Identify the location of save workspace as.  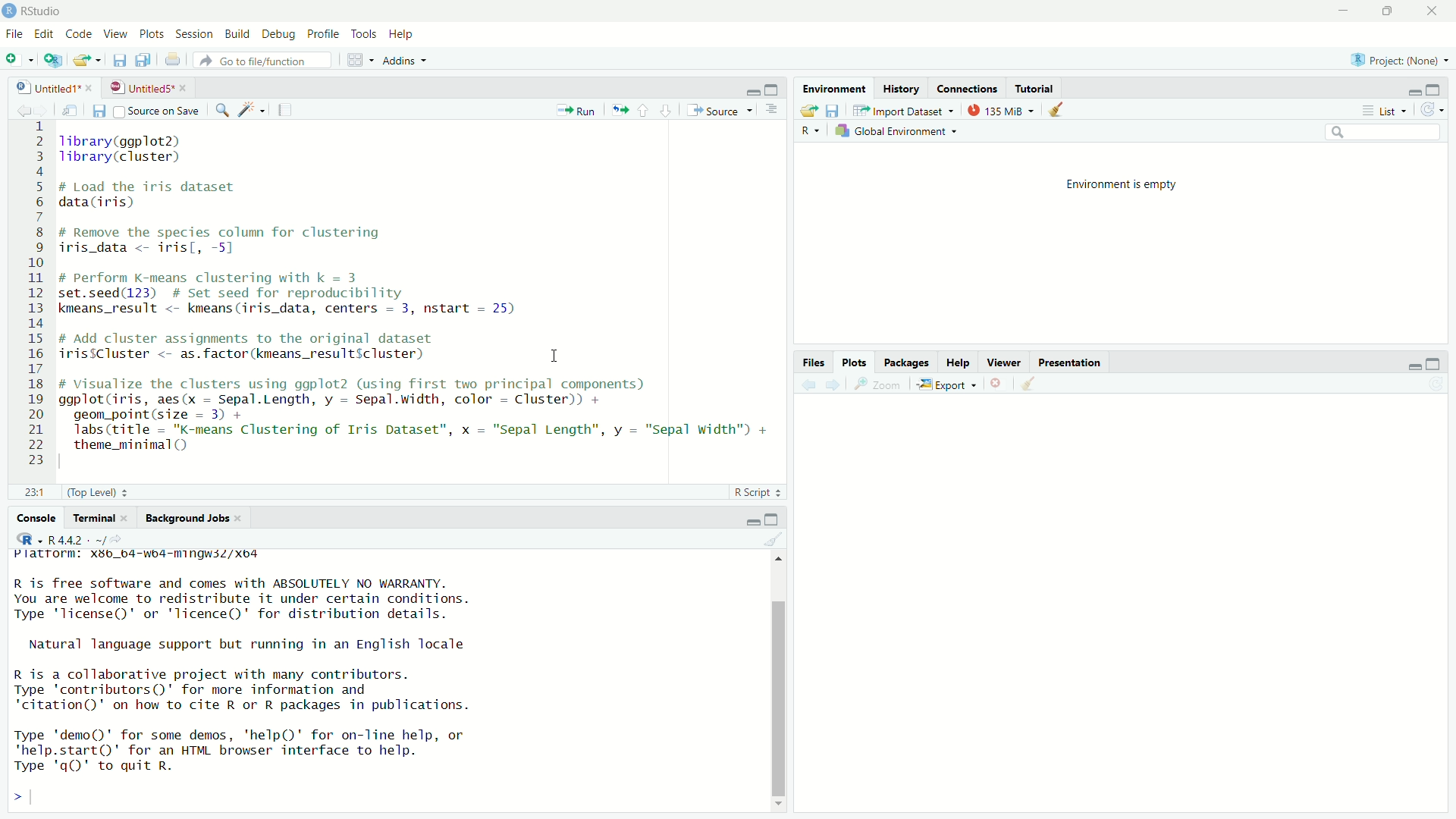
(834, 111).